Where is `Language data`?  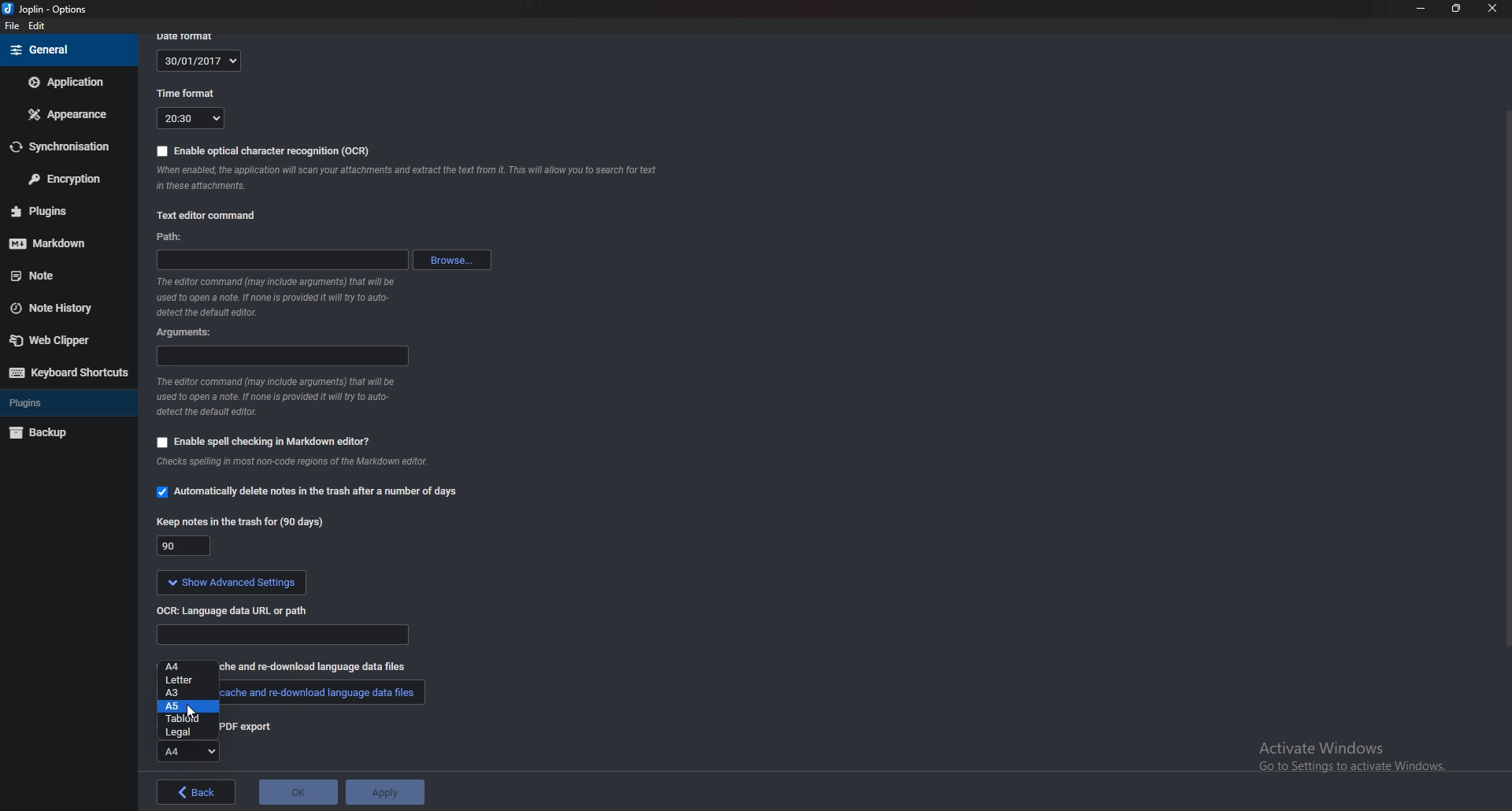 Language data is located at coordinates (280, 635).